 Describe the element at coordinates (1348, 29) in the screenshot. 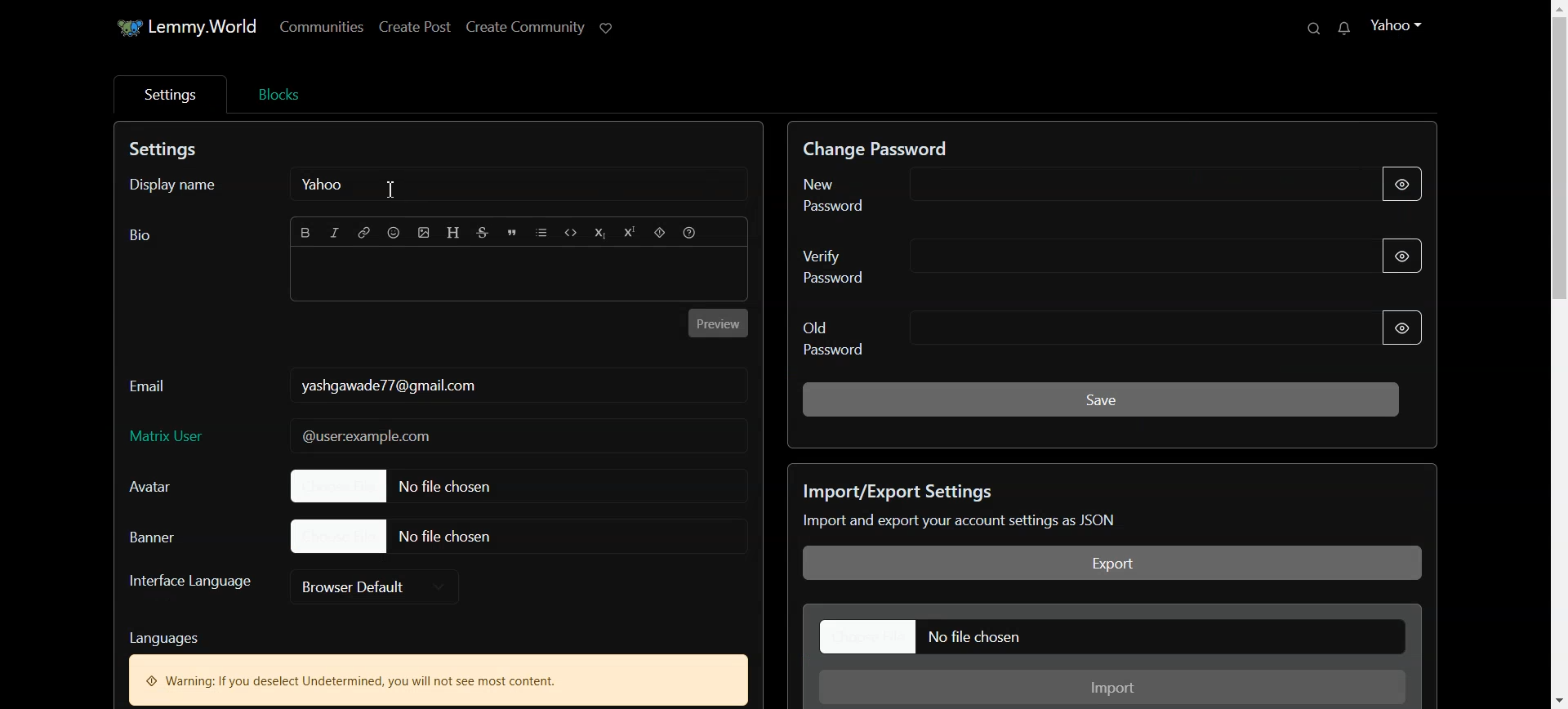

I see `` at that location.